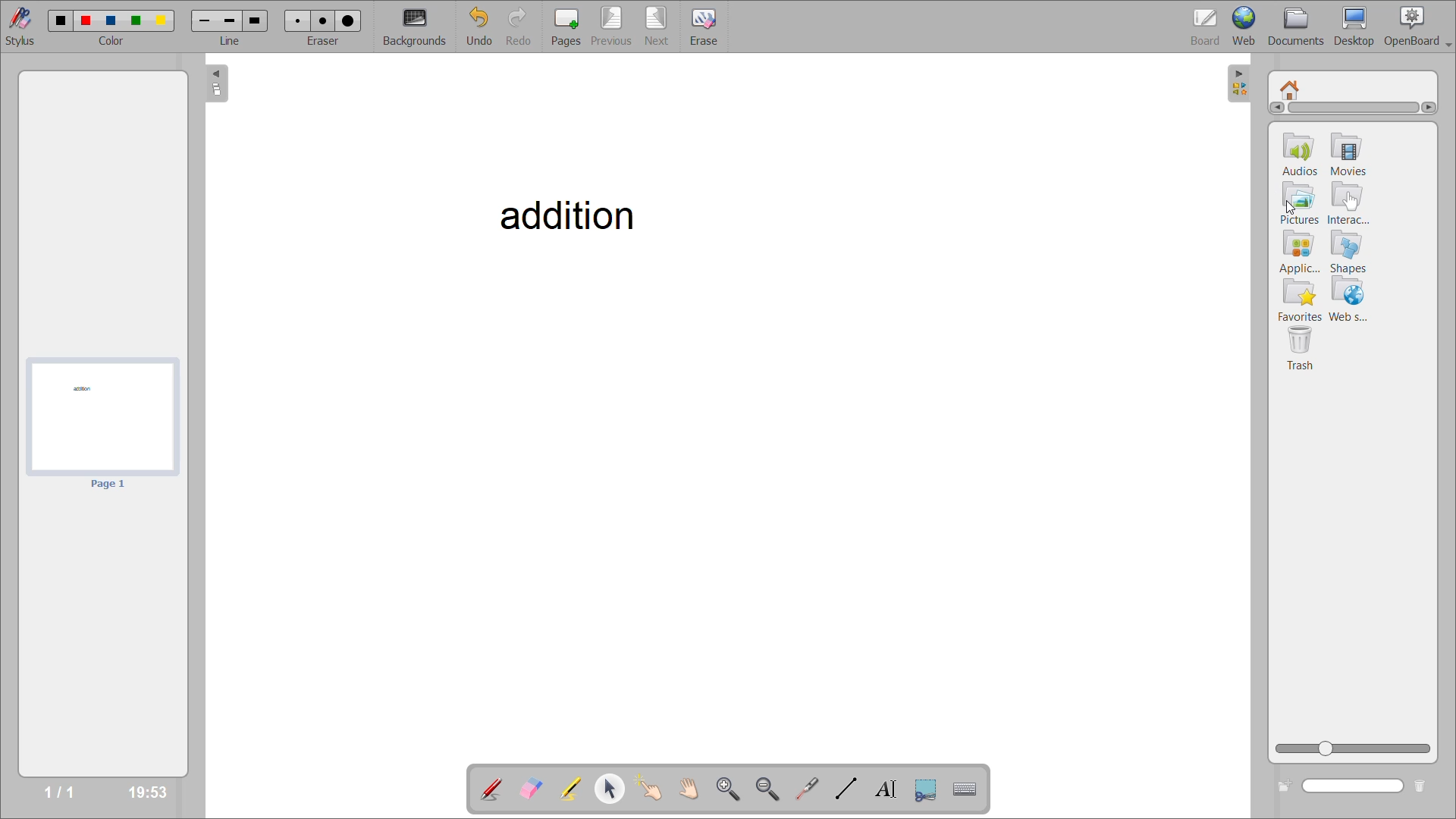 This screenshot has width=1456, height=819. I want to click on zoom slider, so click(1354, 749).